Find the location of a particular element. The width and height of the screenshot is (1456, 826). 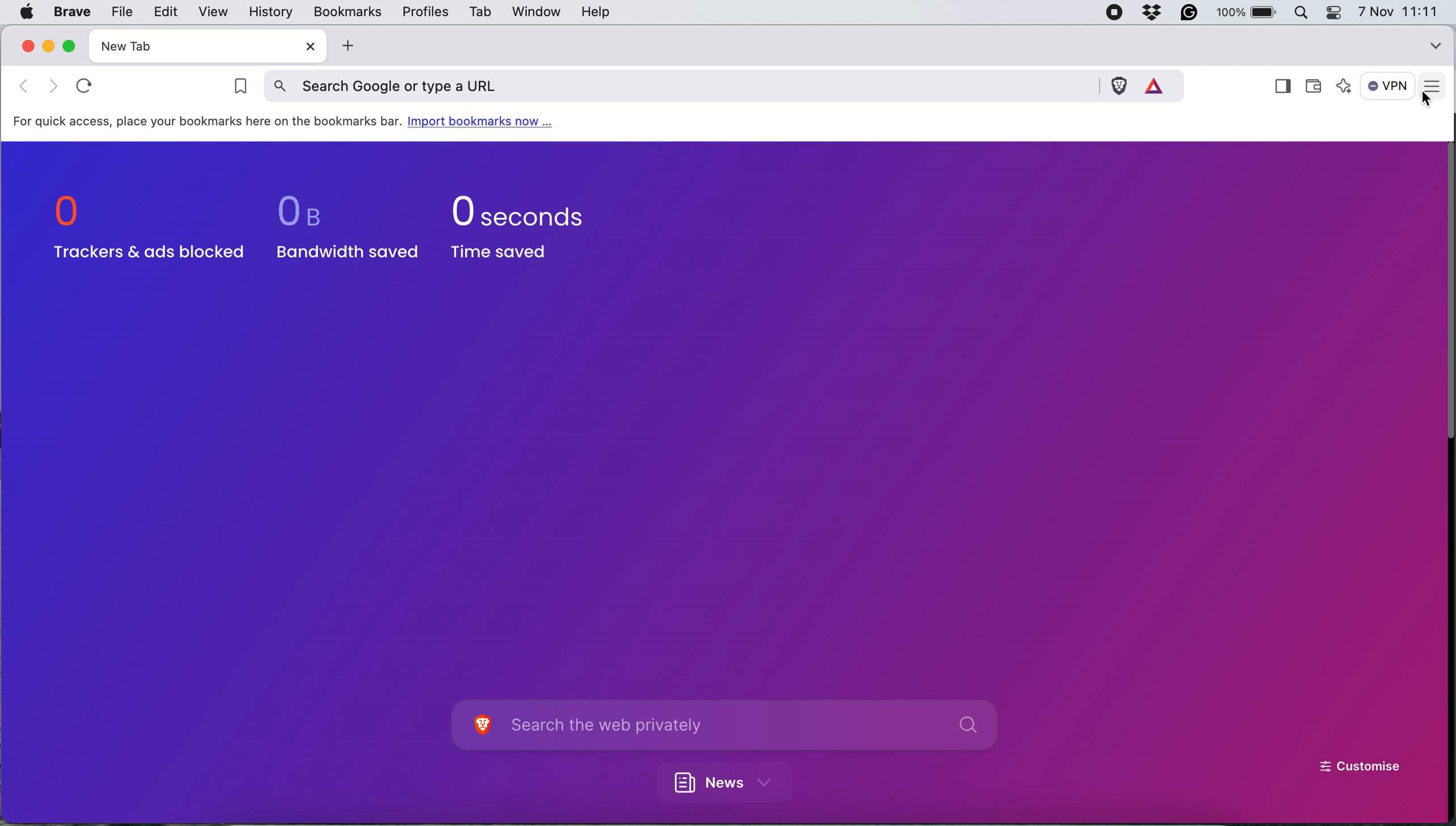

screen recorder is located at coordinates (1117, 13).